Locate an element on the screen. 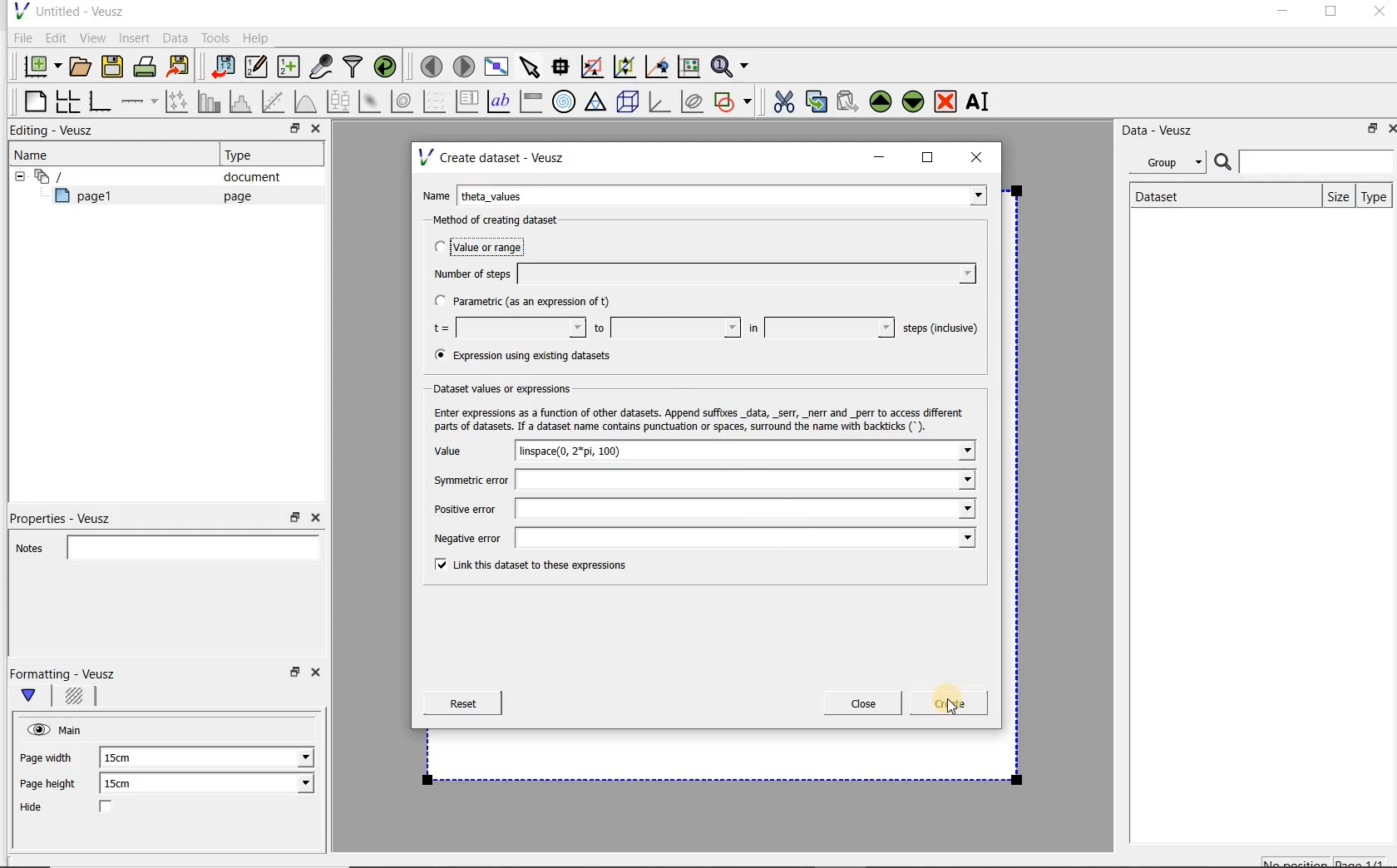 Image resolution: width=1397 pixels, height=868 pixels. Read data points on the graph is located at coordinates (563, 67).